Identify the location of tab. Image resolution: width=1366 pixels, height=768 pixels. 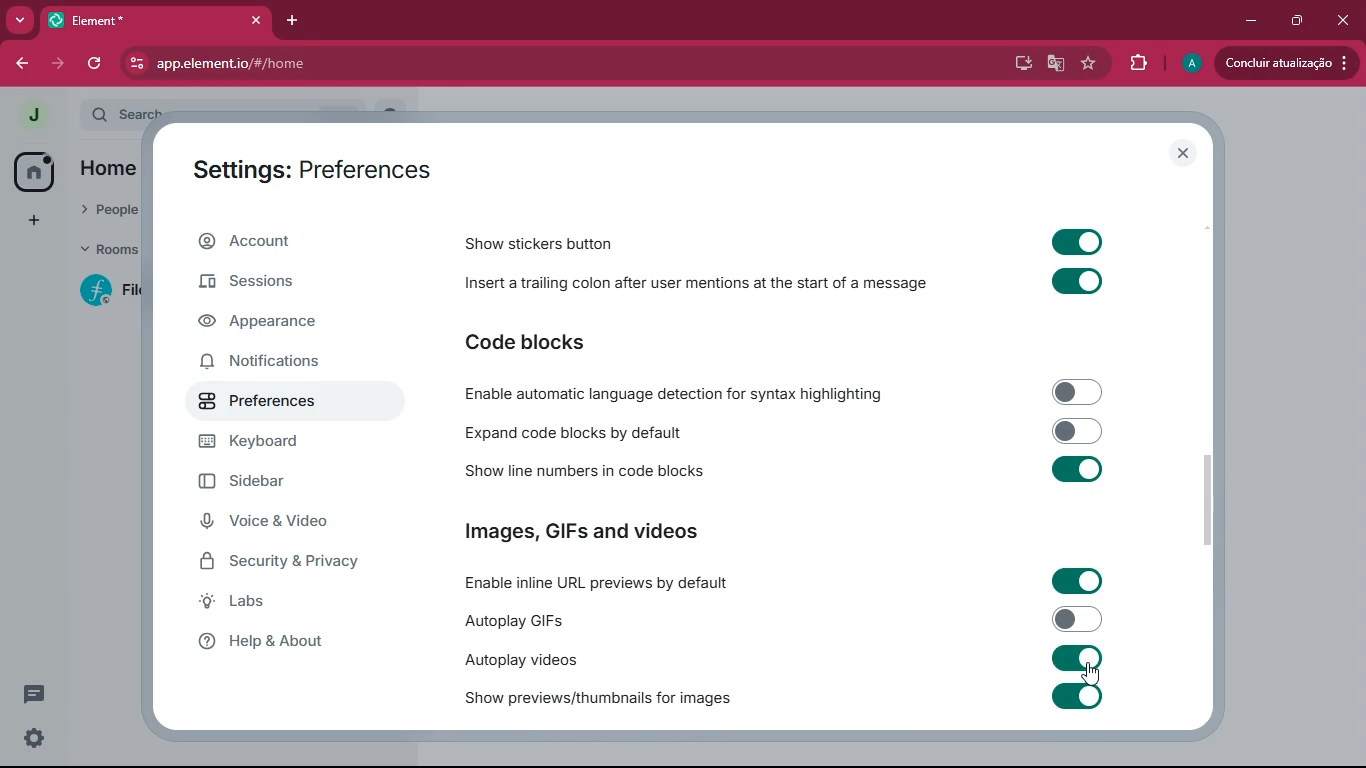
(145, 21).